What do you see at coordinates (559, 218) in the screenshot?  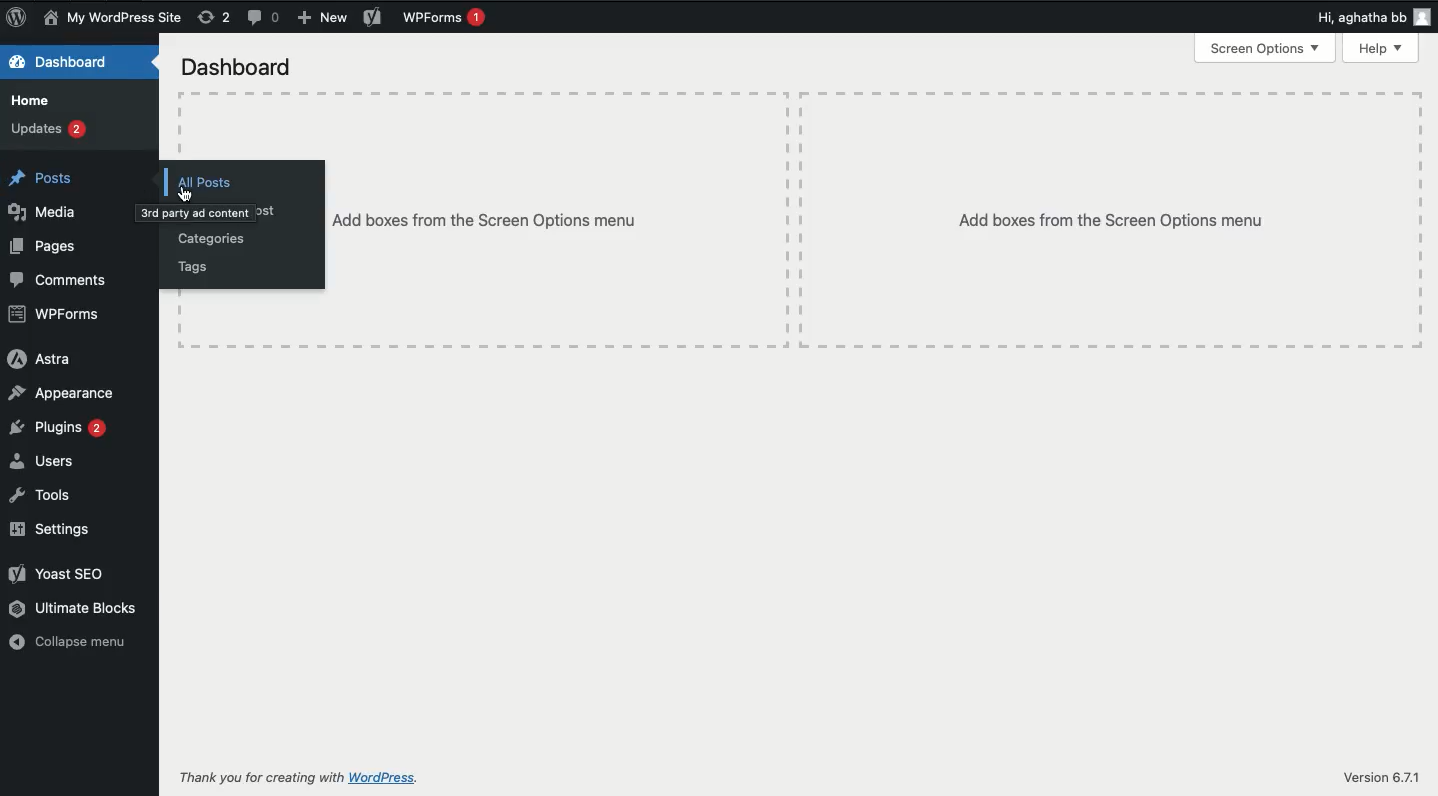 I see `` at bounding box center [559, 218].